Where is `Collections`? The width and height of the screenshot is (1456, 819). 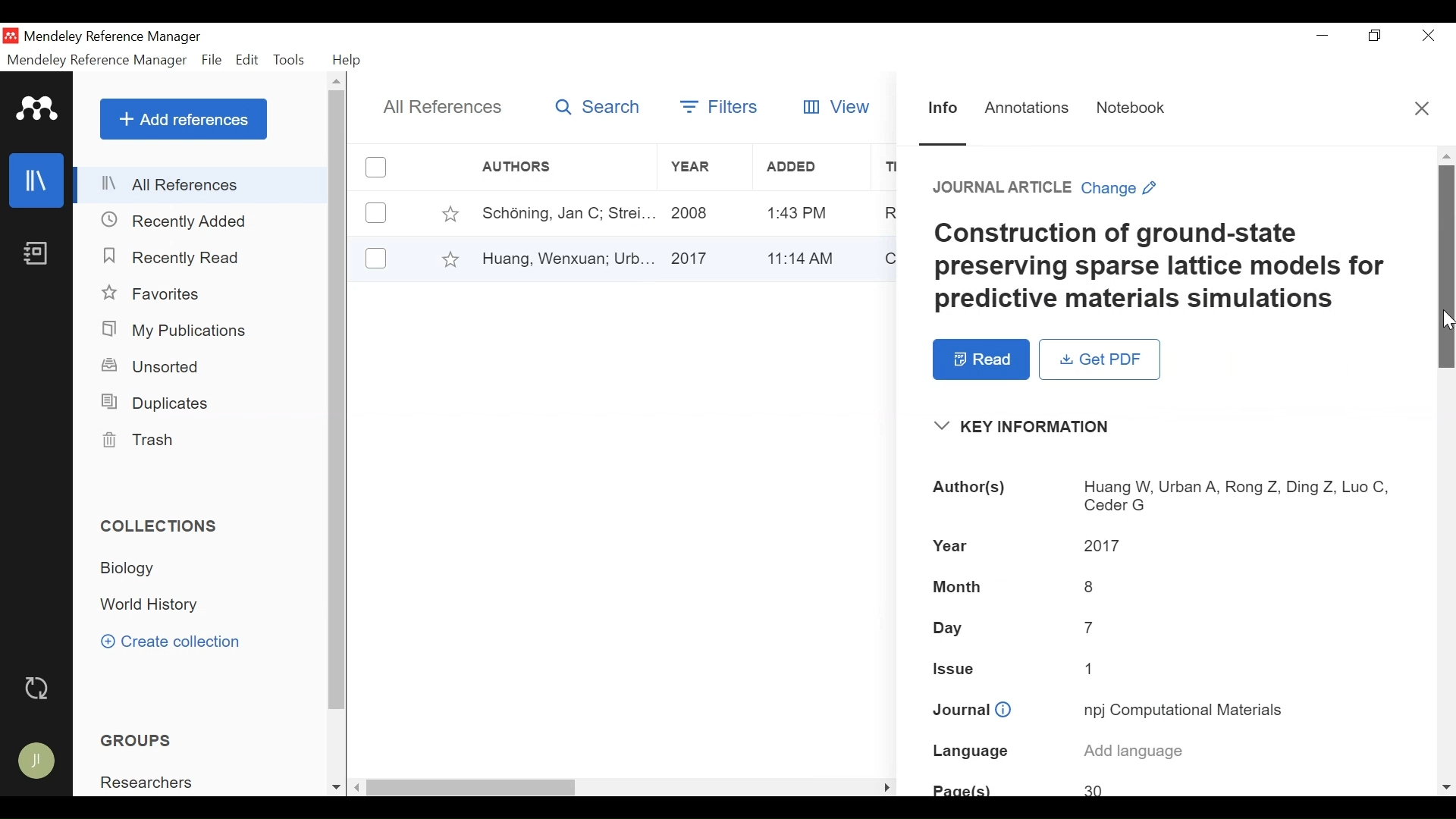 Collections is located at coordinates (161, 526).